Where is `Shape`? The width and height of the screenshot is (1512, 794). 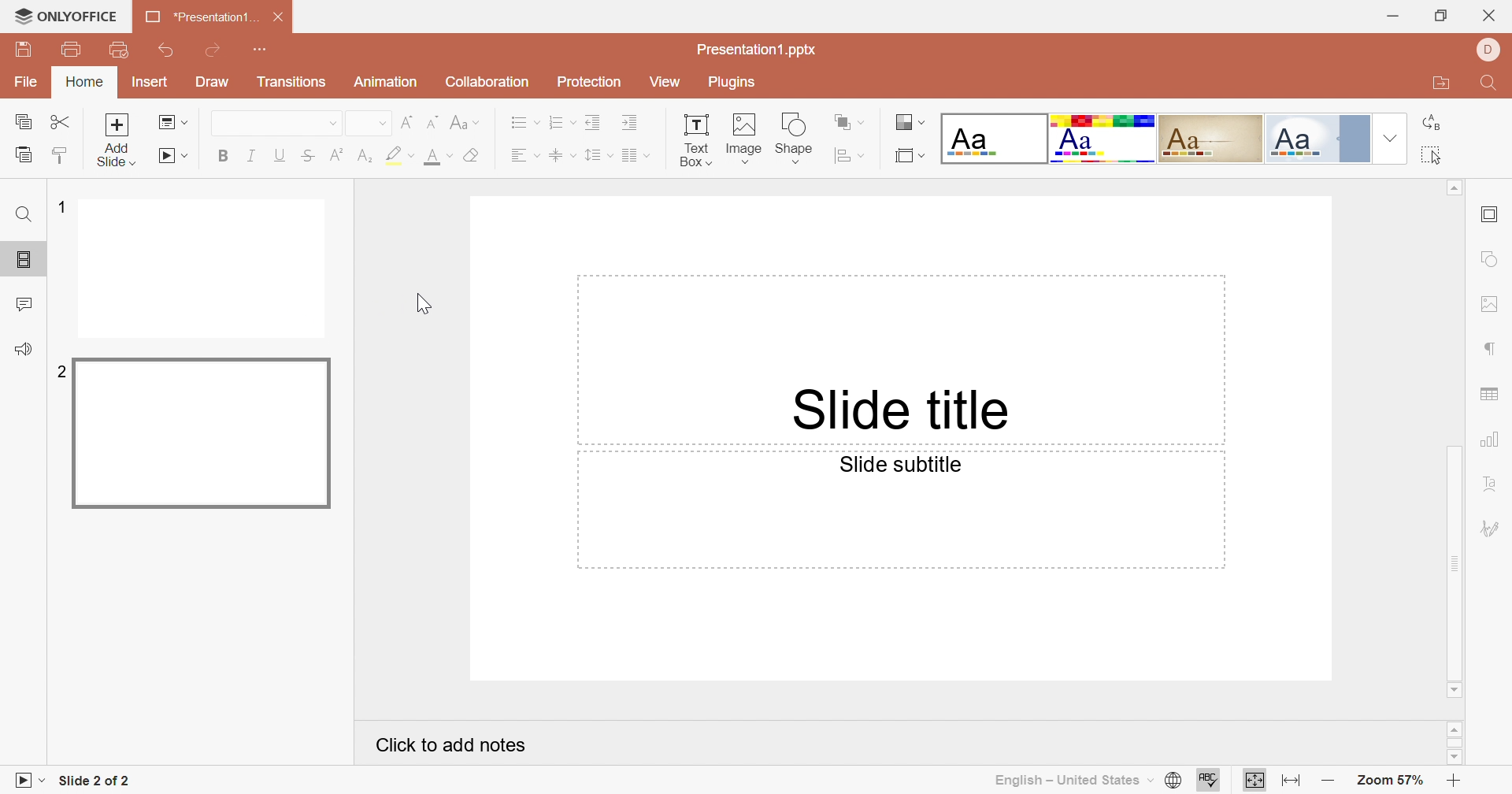
Shape is located at coordinates (794, 138).